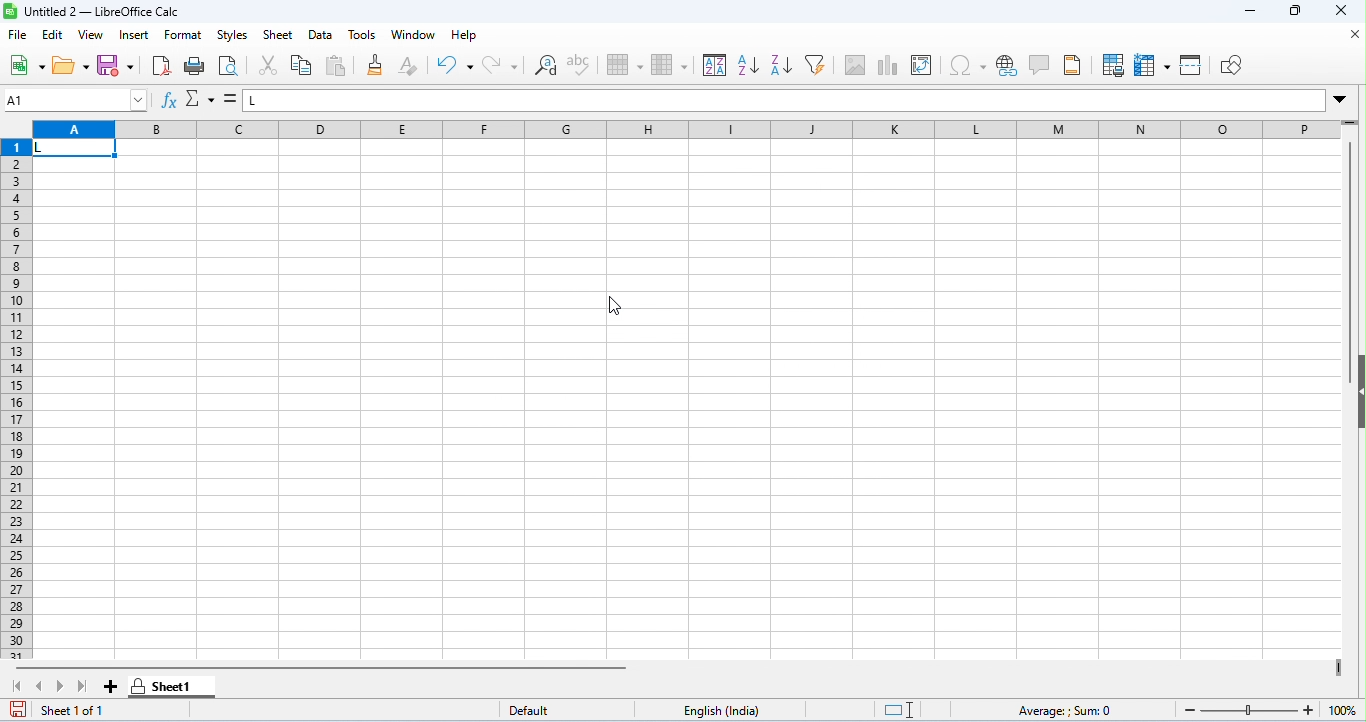 The height and width of the screenshot is (722, 1366). I want to click on default, so click(539, 711).